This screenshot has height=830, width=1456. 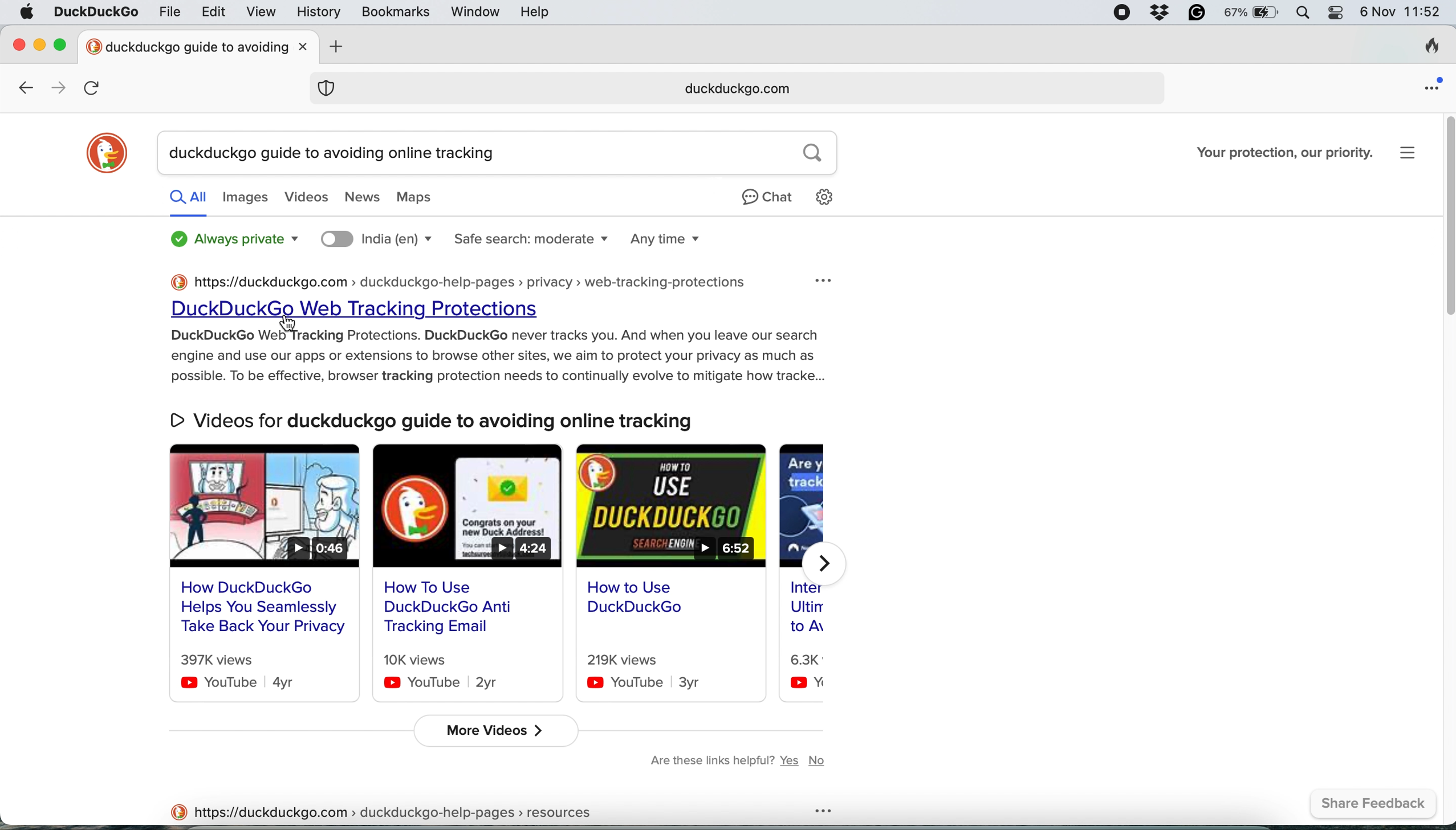 What do you see at coordinates (221, 239) in the screenshot?
I see `always private` at bounding box center [221, 239].